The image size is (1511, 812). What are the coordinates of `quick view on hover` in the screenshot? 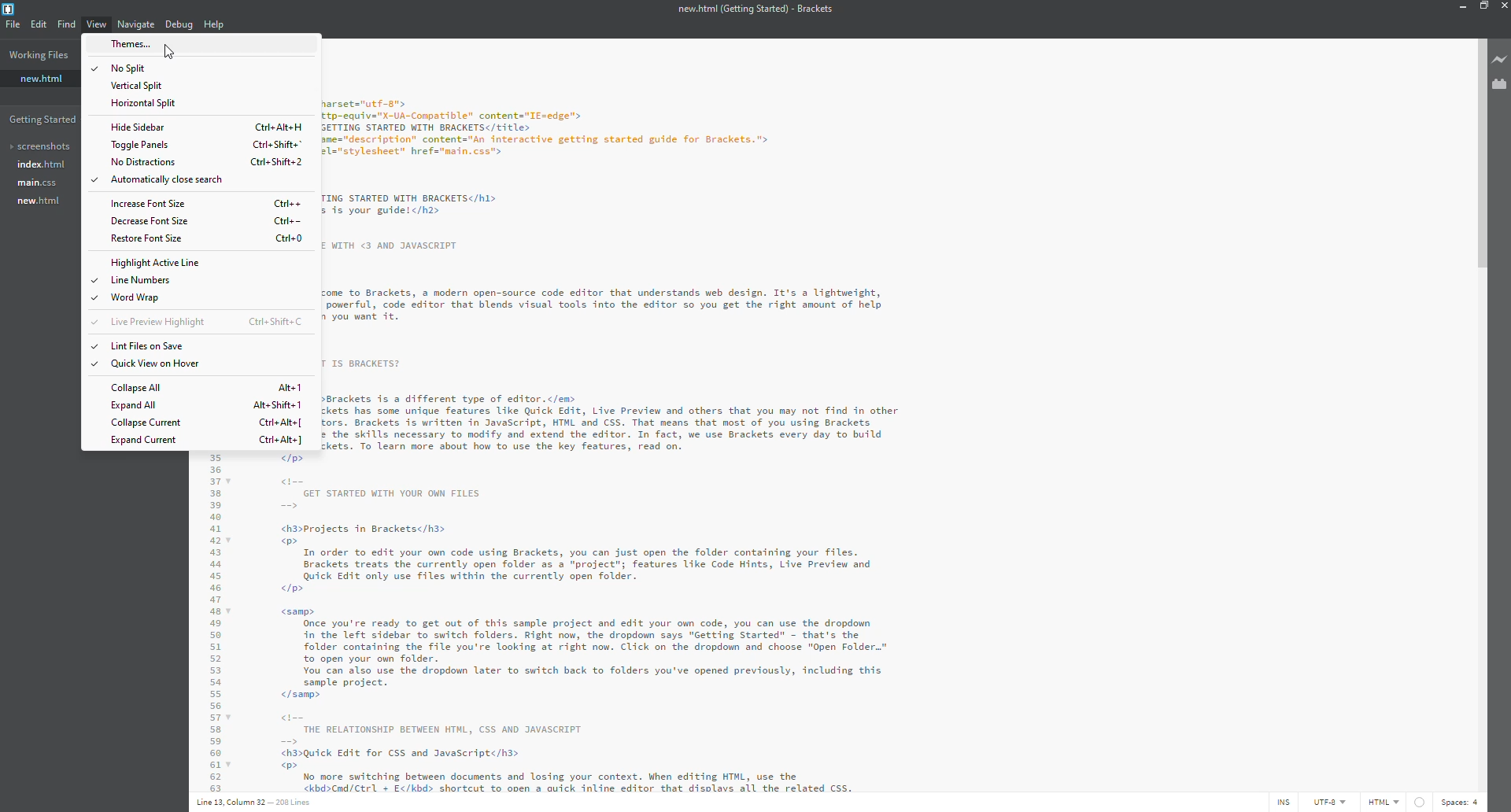 It's located at (158, 364).